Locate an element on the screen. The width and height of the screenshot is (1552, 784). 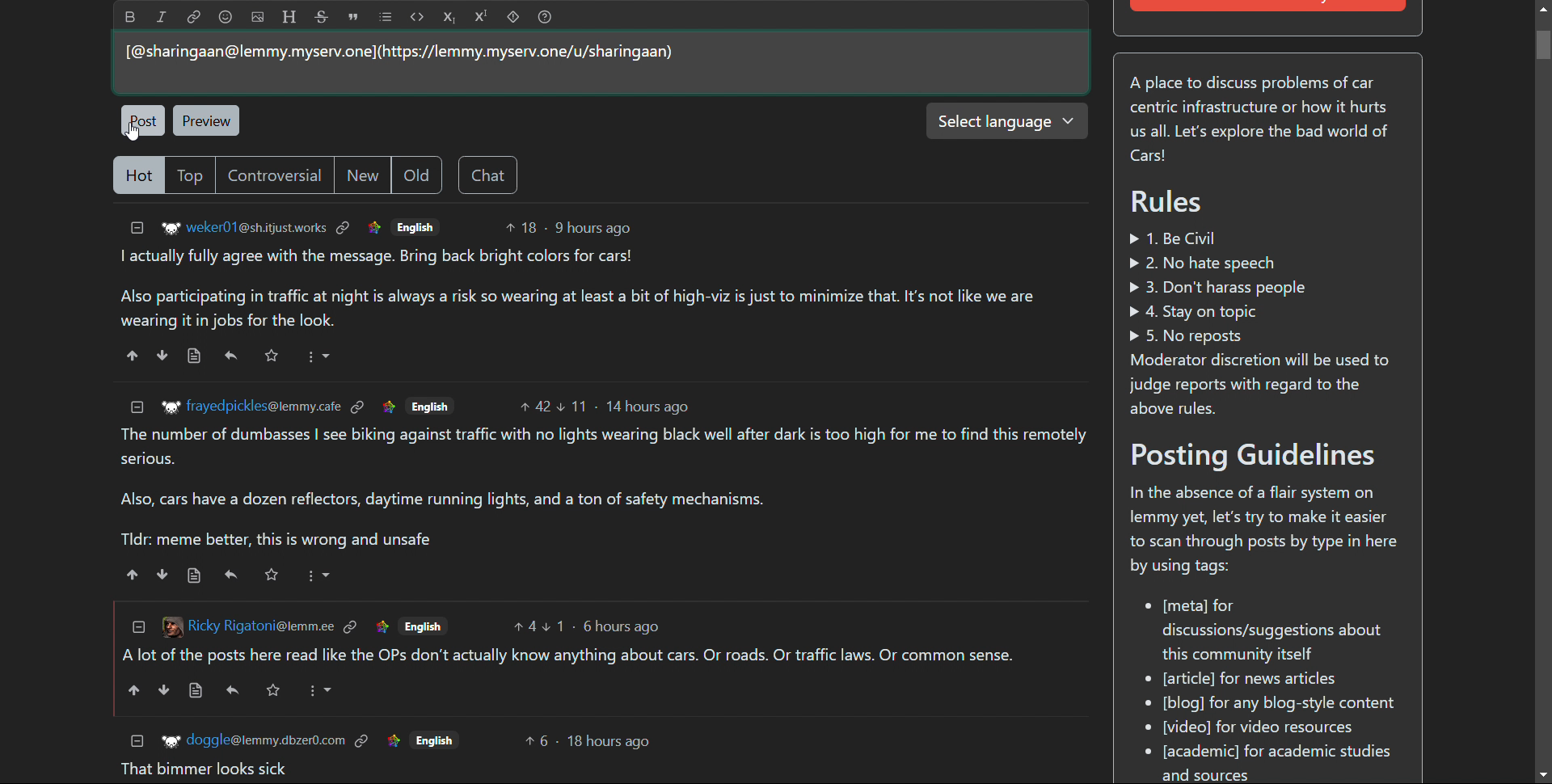
new is located at coordinates (361, 174).